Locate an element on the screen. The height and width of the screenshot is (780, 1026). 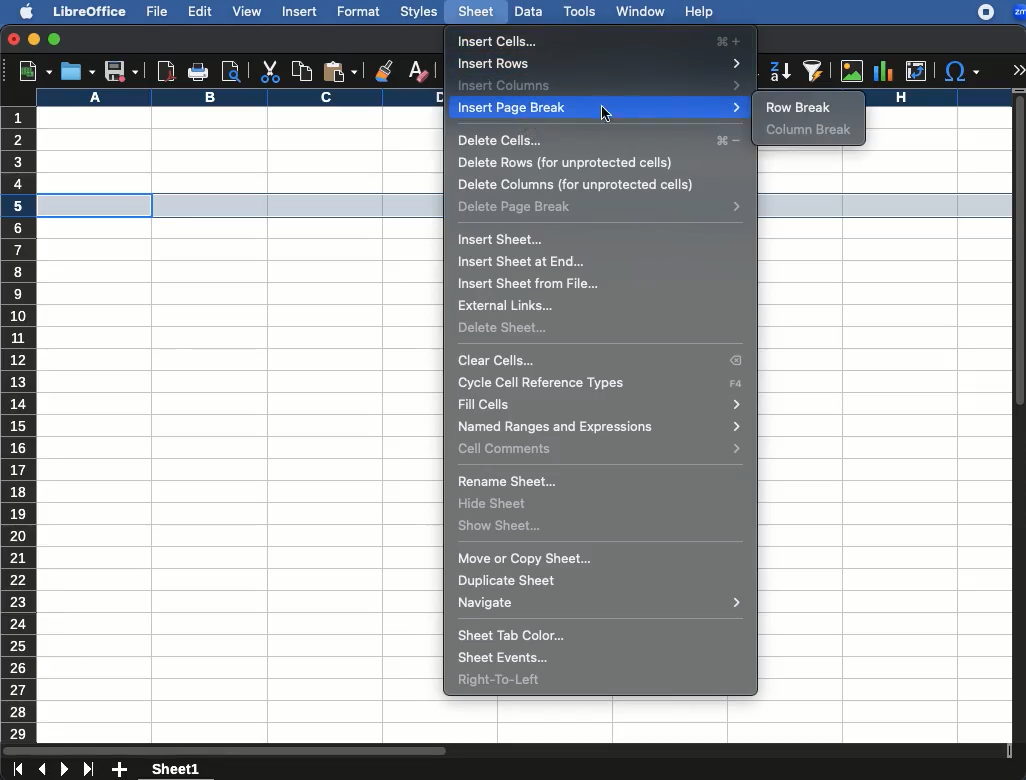
scroll is located at coordinates (1020, 417).